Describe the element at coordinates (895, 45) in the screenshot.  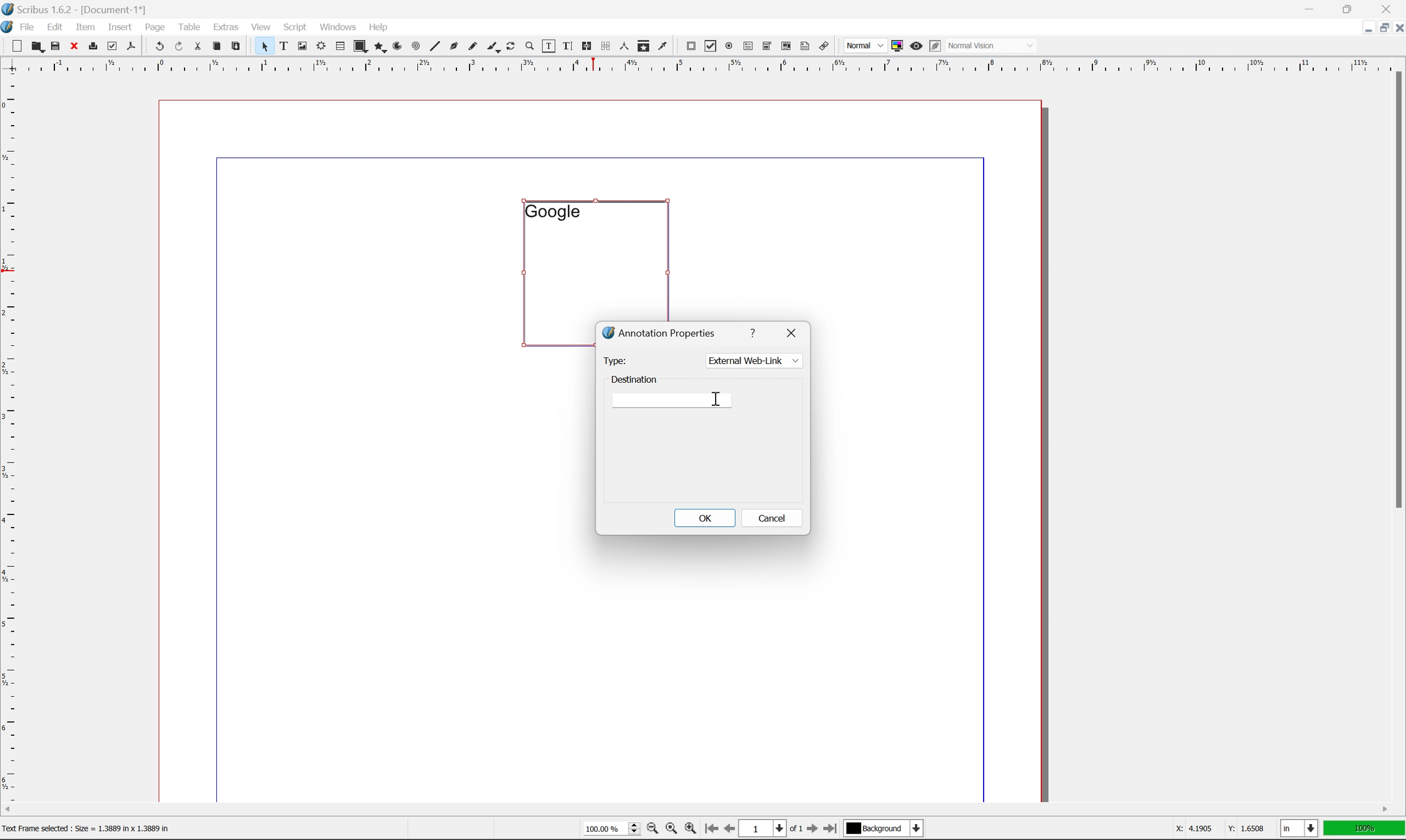
I see `toggle color management system` at that location.